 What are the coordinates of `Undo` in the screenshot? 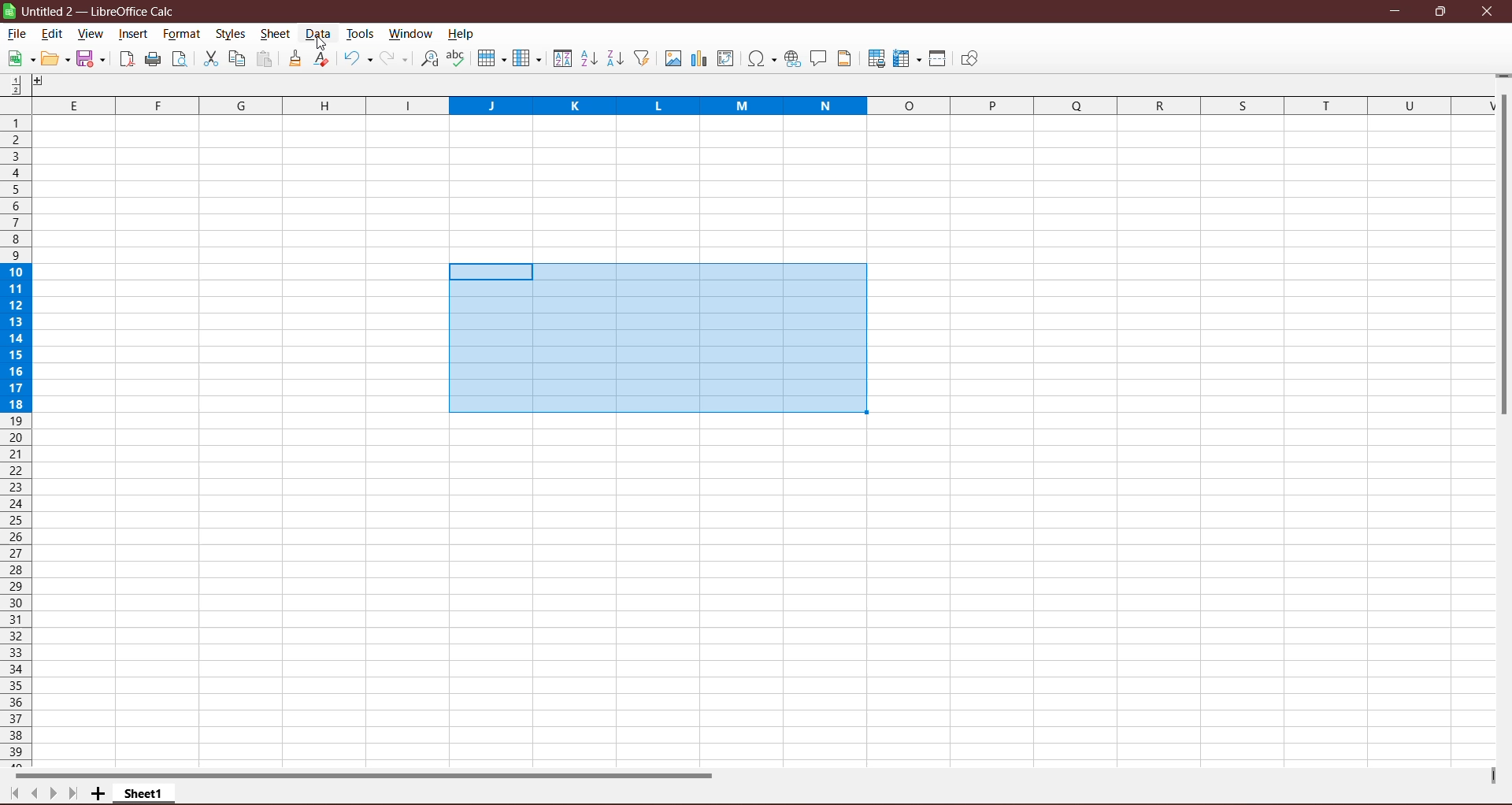 It's located at (358, 60).